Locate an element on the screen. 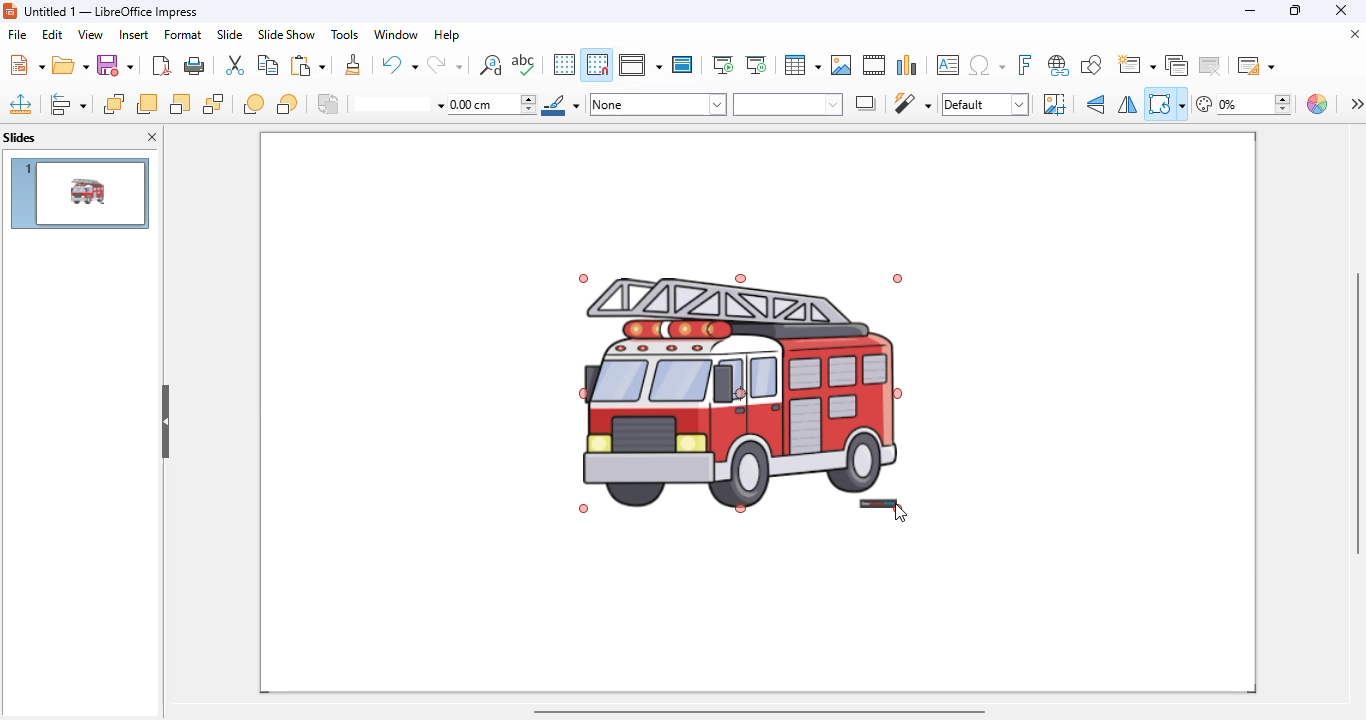  line color is located at coordinates (561, 104).